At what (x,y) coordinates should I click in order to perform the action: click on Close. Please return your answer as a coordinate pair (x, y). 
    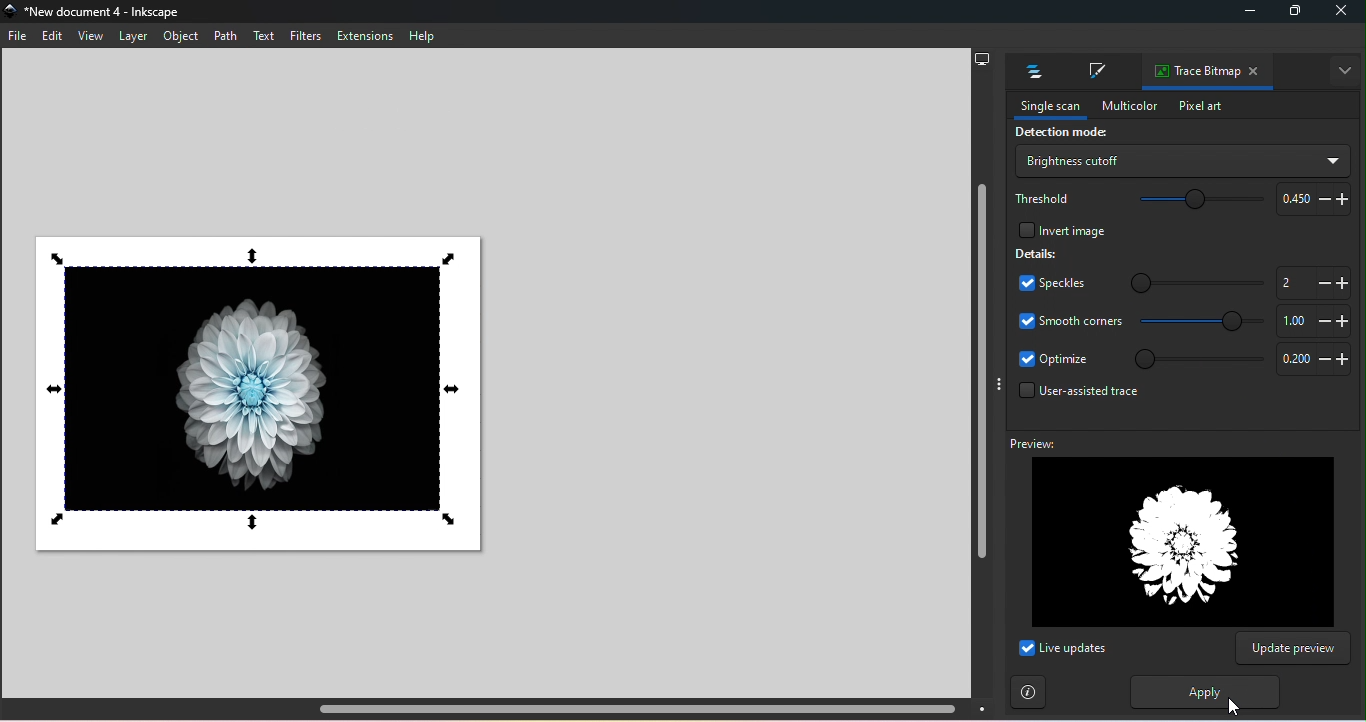
    Looking at the image, I should click on (1344, 11).